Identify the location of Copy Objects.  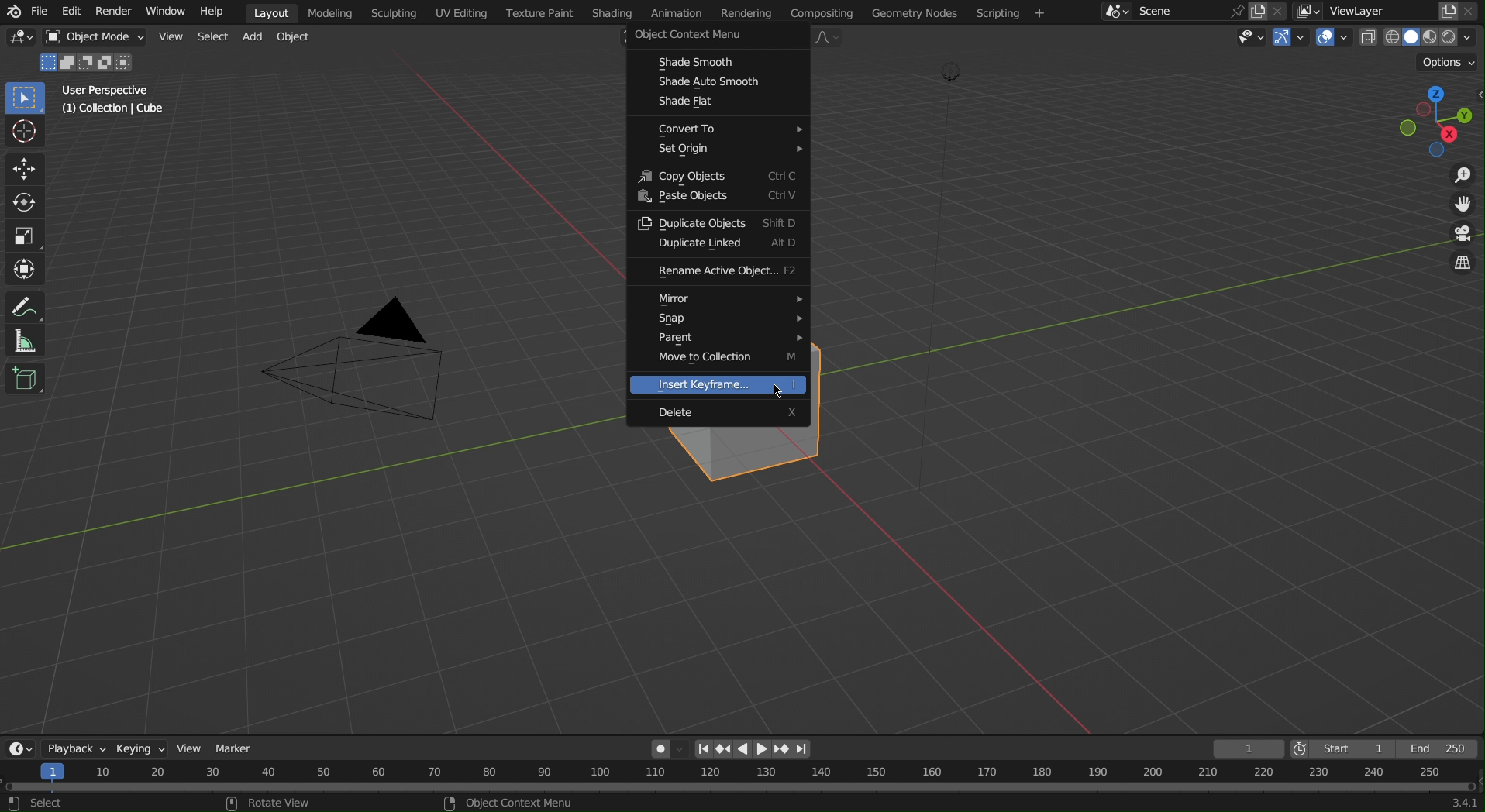
(717, 174).